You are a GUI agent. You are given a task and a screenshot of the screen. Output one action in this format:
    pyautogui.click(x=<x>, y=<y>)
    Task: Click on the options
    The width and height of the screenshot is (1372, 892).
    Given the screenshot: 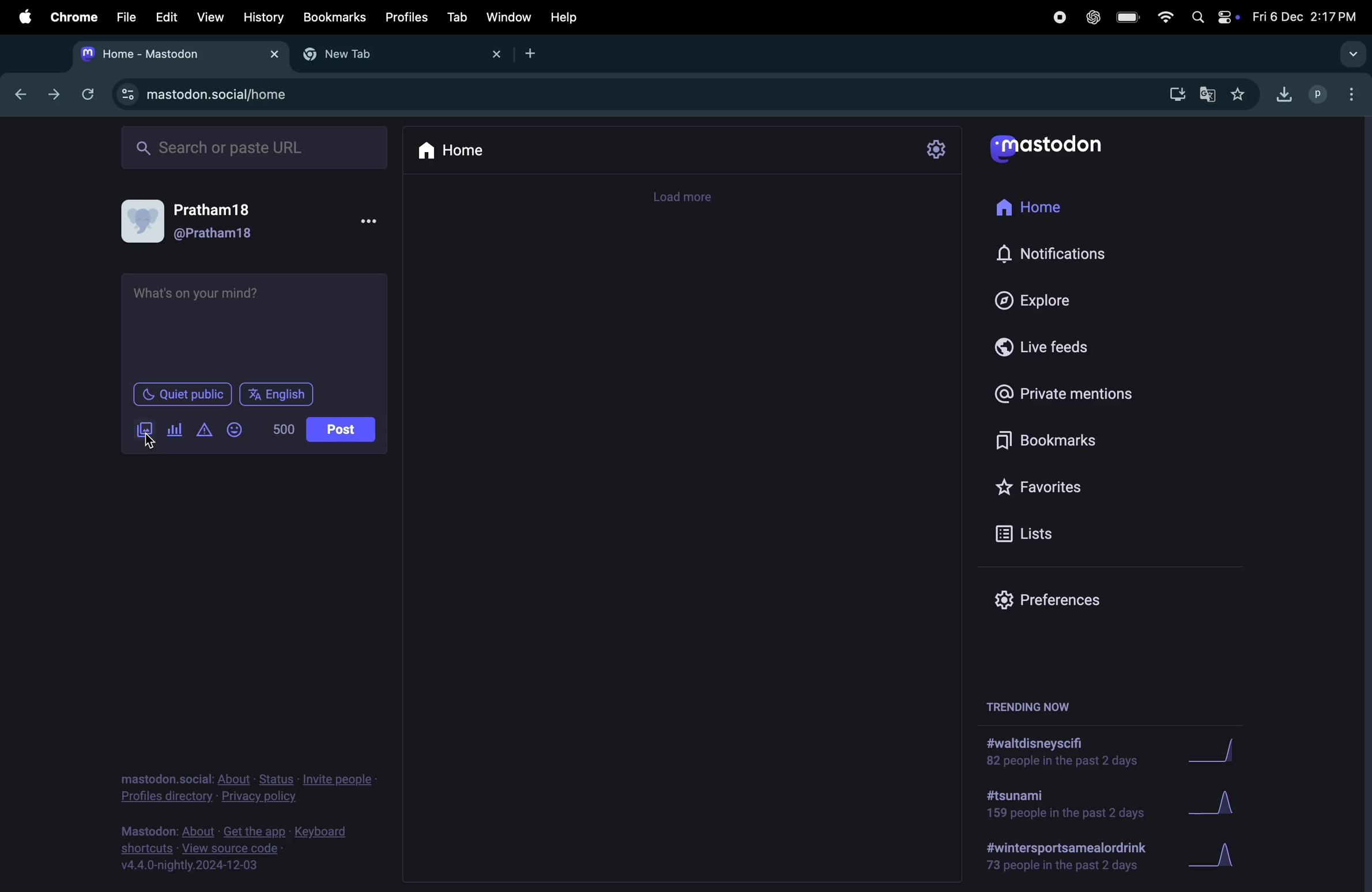 What is the action you would take?
    pyautogui.click(x=371, y=221)
    